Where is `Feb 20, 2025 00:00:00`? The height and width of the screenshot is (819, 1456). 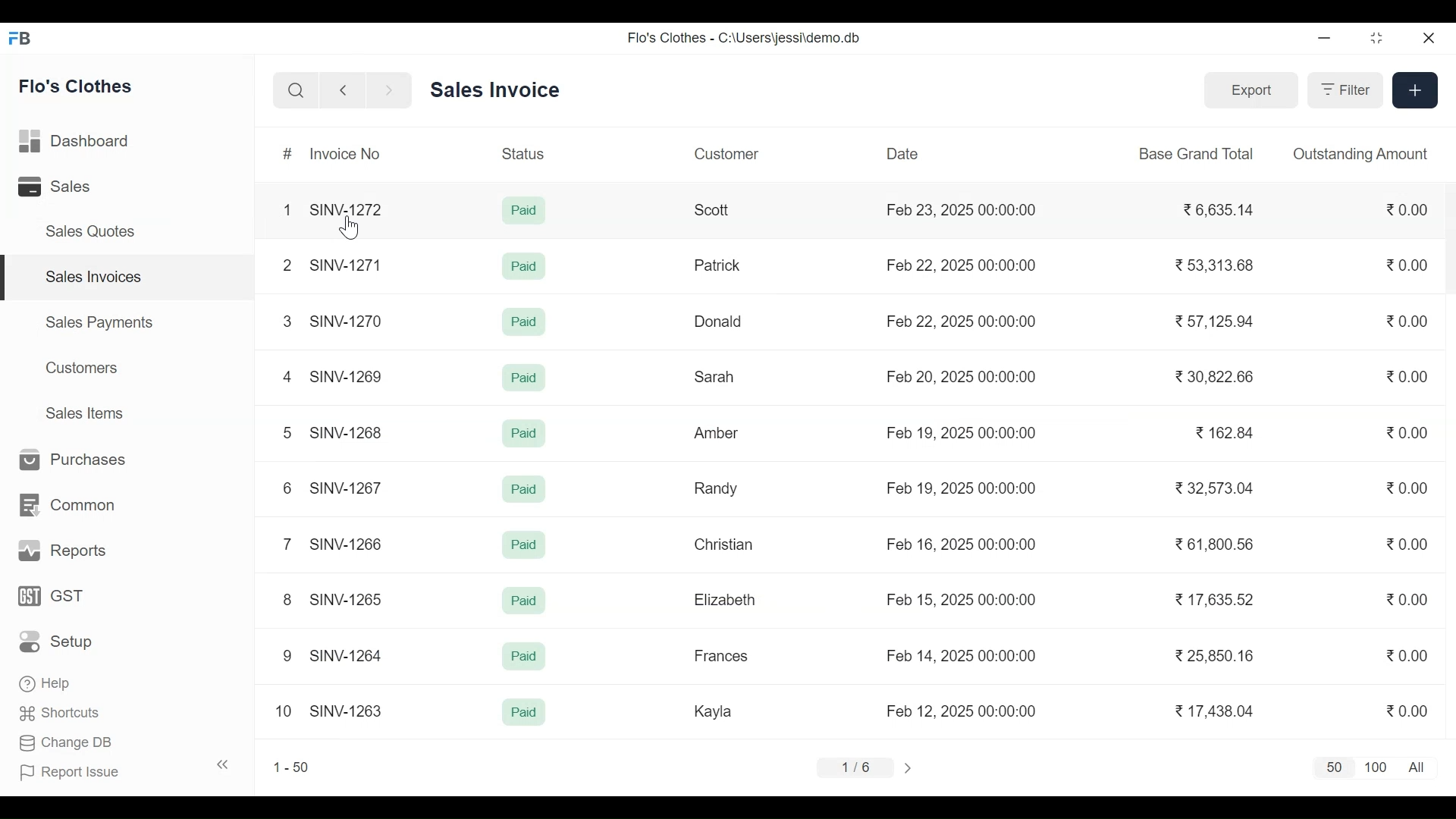
Feb 20, 2025 00:00:00 is located at coordinates (963, 376).